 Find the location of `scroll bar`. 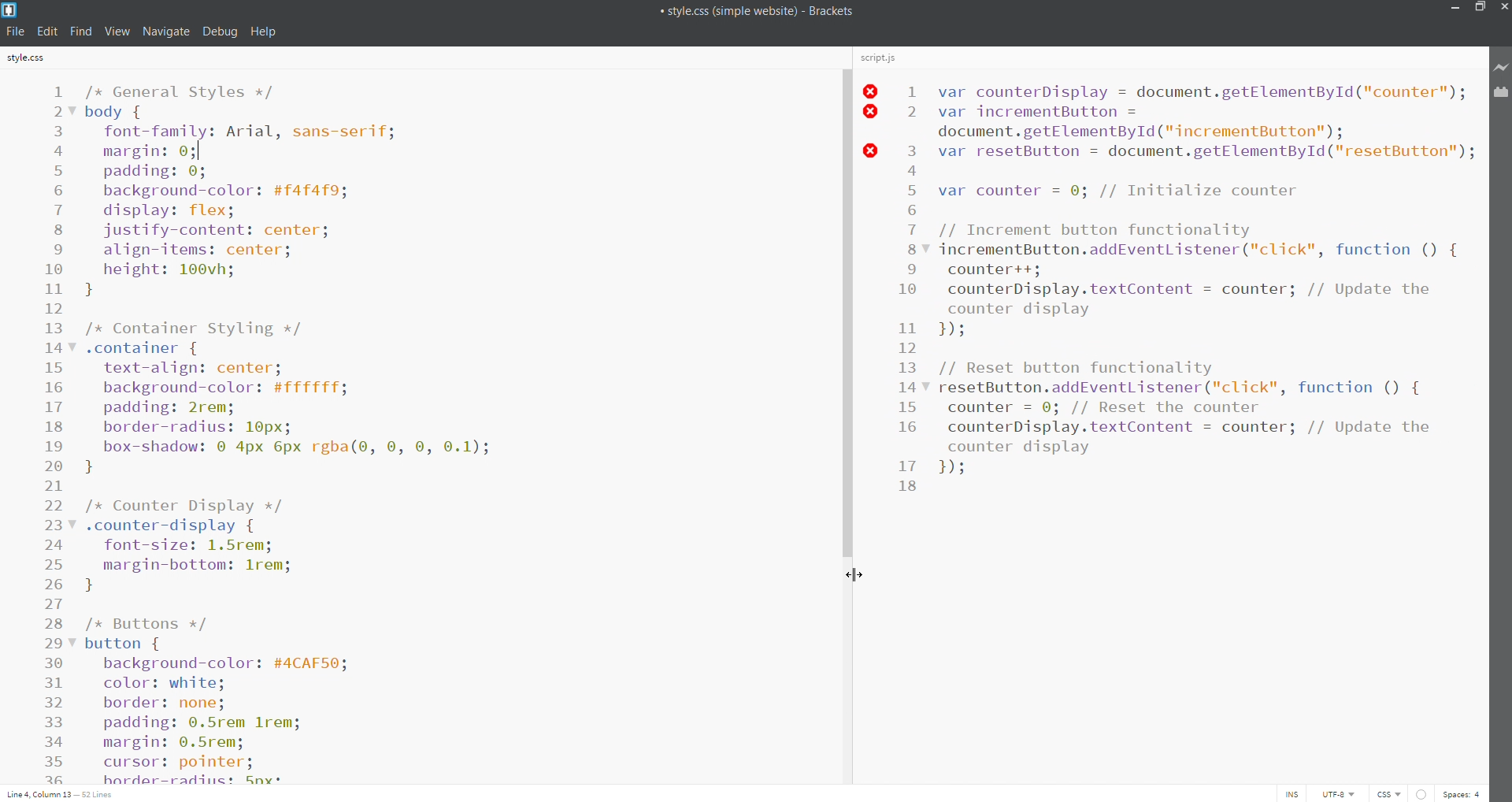

scroll bar is located at coordinates (848, 425).